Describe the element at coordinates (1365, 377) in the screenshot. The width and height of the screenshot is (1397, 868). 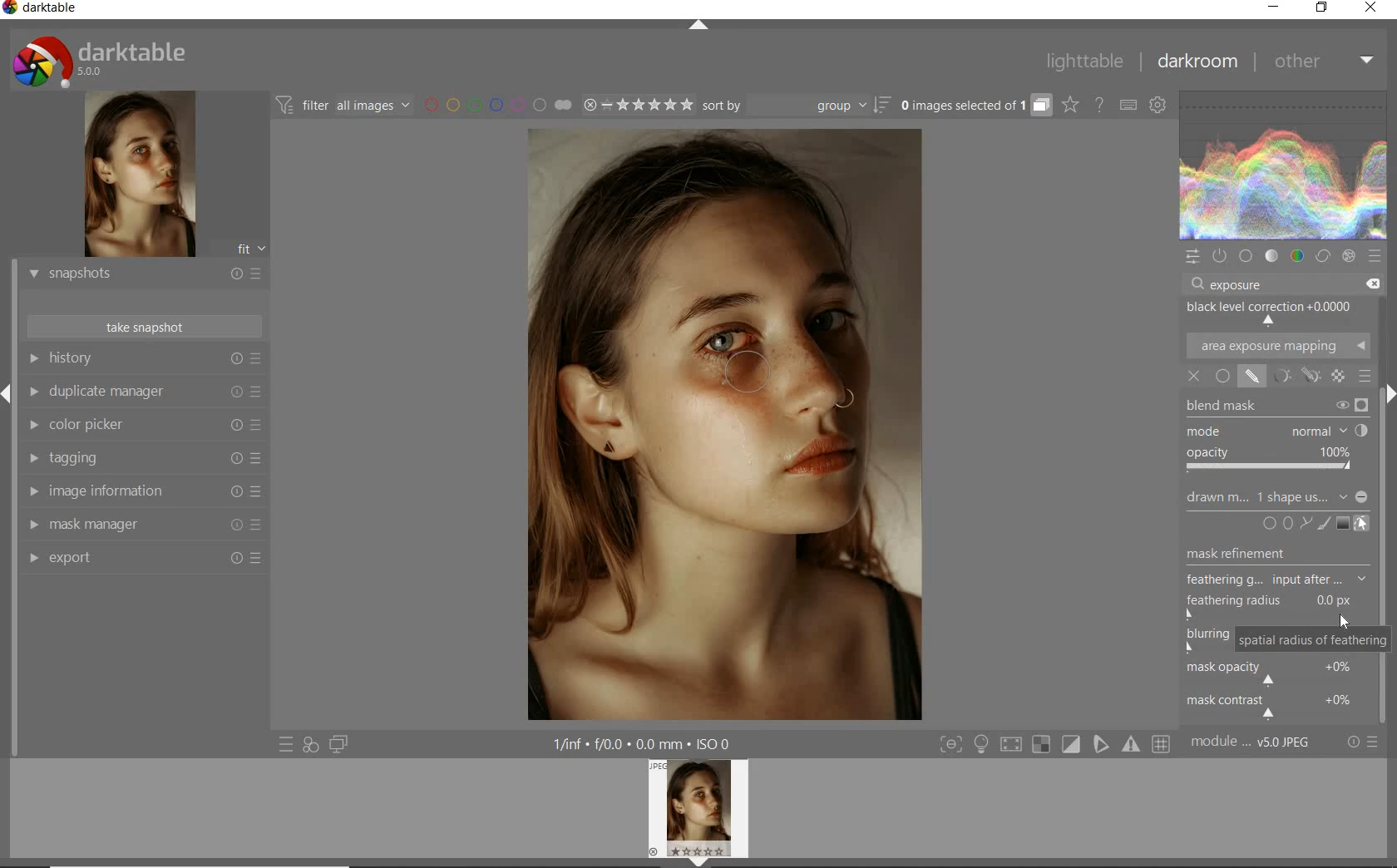
I see `BLENDING OPTIONS` at that location.